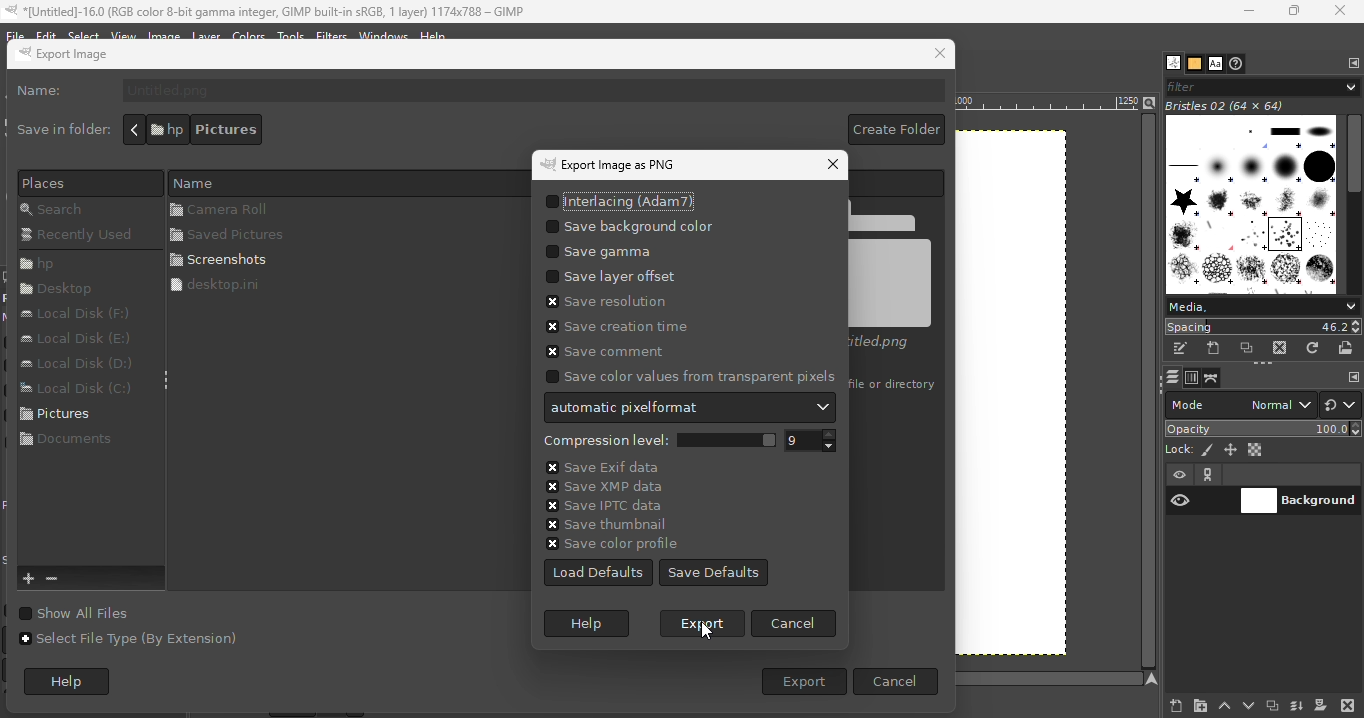  Describe the element at coordinates (228, 259) in the screenshot. I see `Selected folder` at that location.